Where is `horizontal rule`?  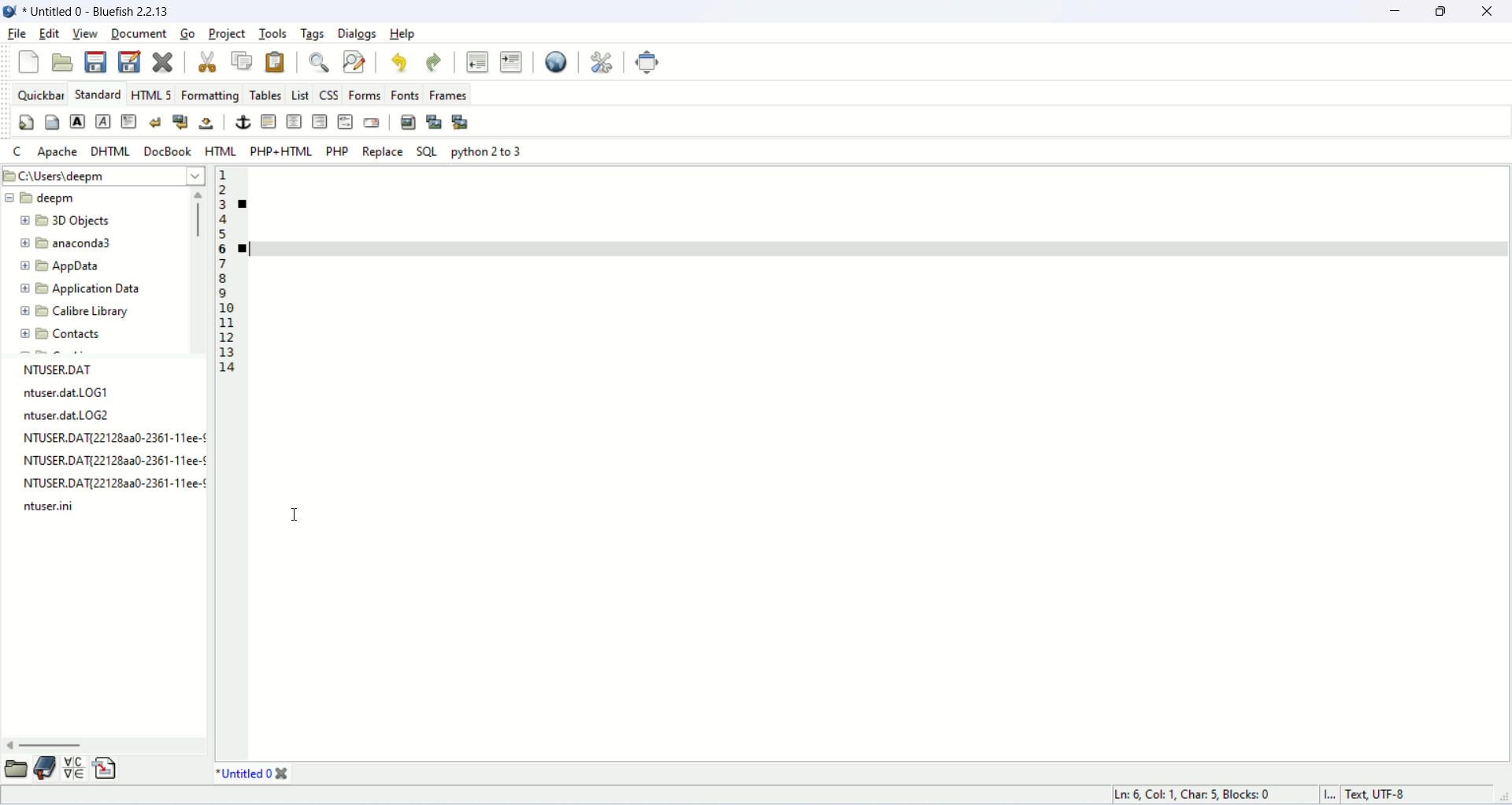
horizontal rule is located at coordinates (270, 121).